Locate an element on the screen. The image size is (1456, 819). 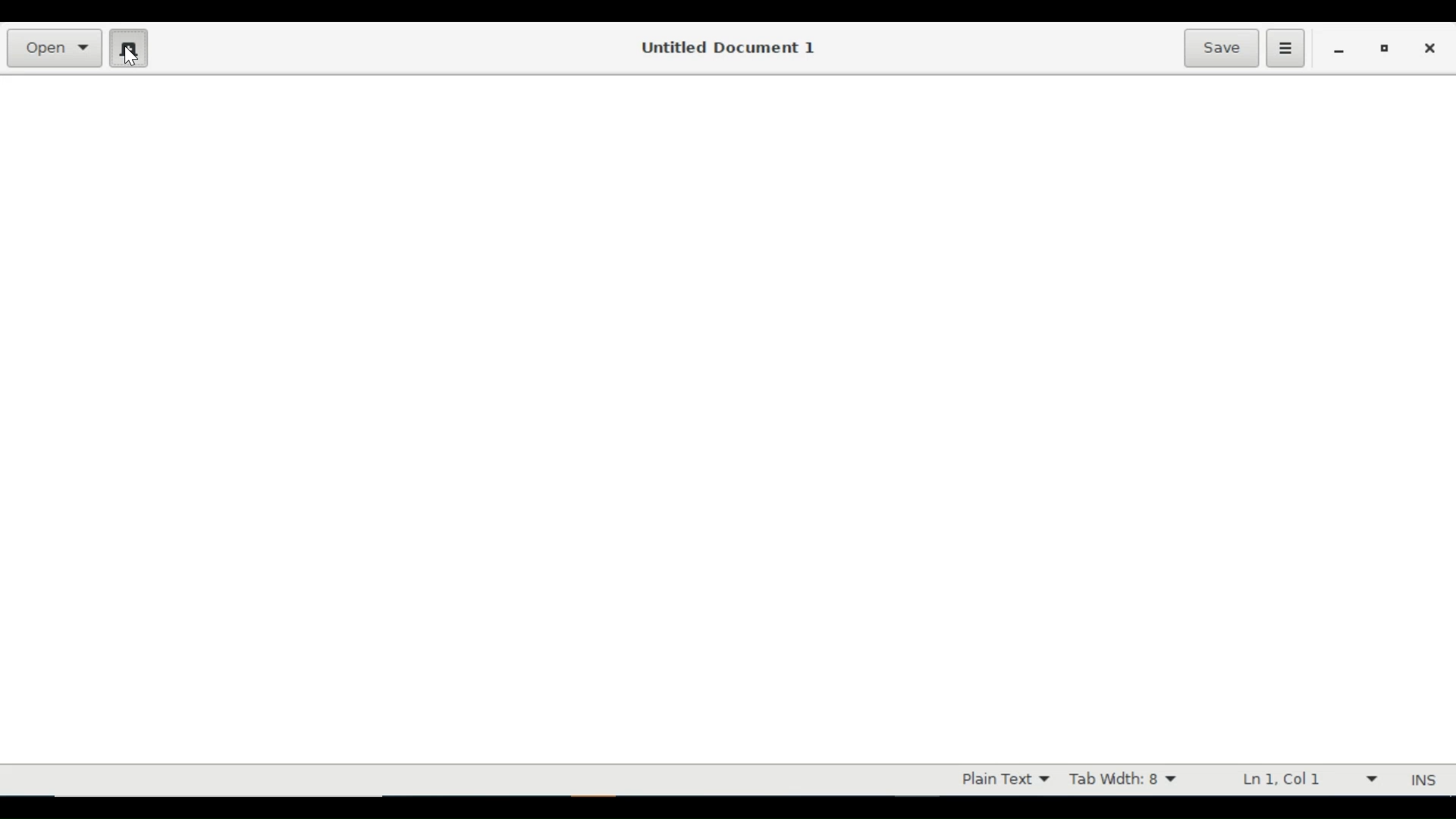
Tab Width 8 is located at coordinates (1126, 779).